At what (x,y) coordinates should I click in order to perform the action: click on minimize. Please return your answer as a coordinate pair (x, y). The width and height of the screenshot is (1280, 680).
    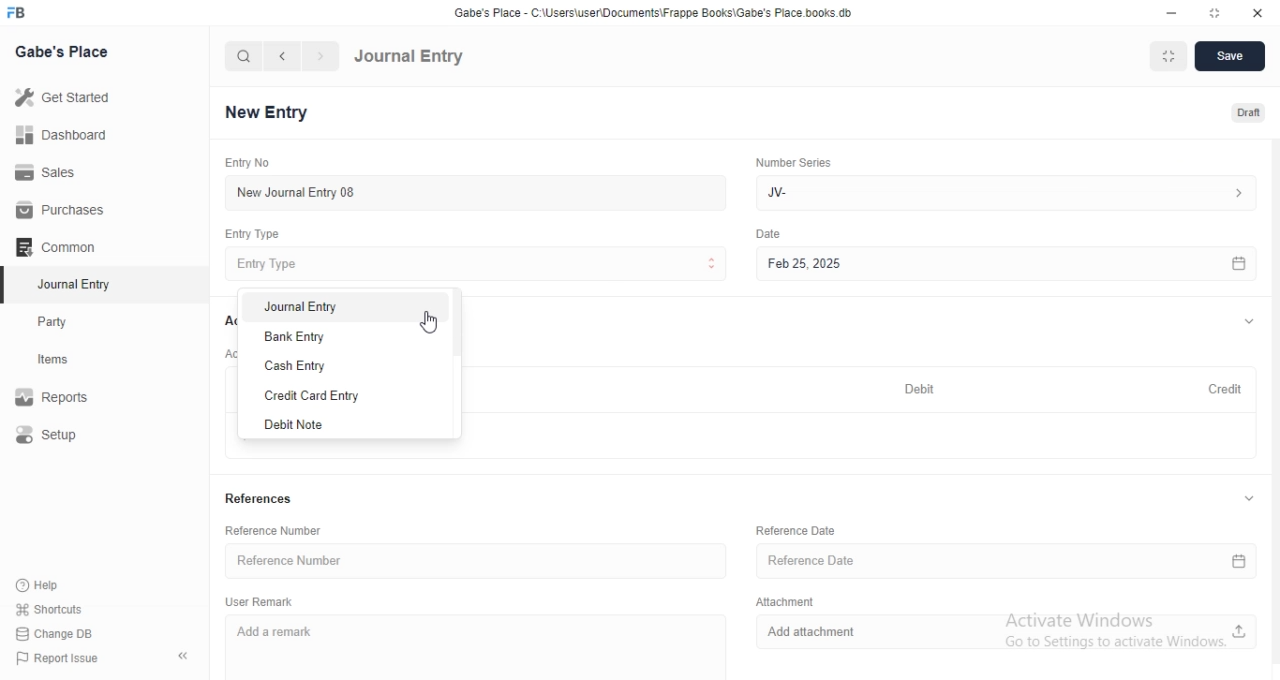
    Looking at the image, I should click on (1174, 11).